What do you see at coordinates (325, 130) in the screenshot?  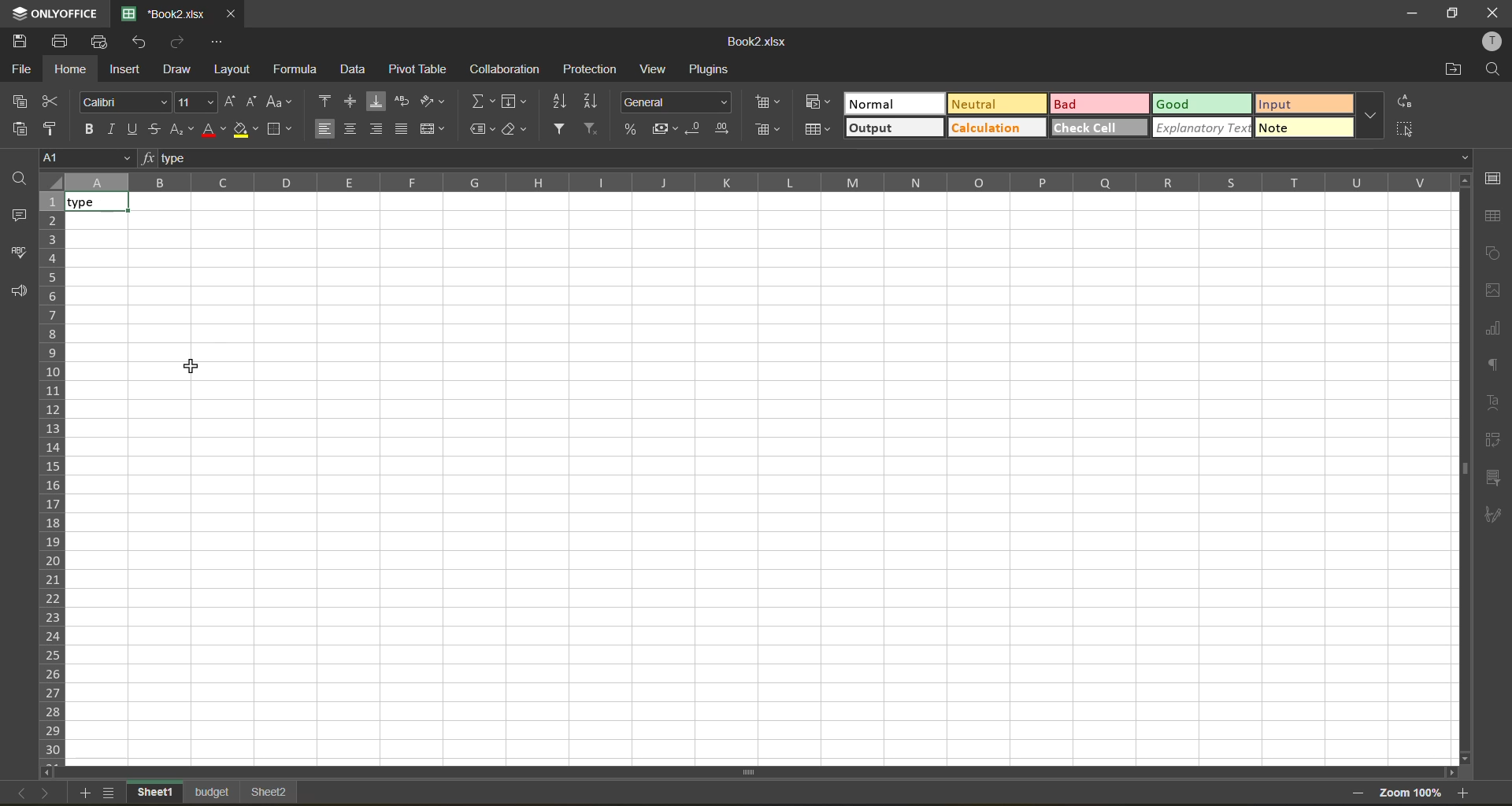 I see `align left enabled` at bounding box center [325, 130].